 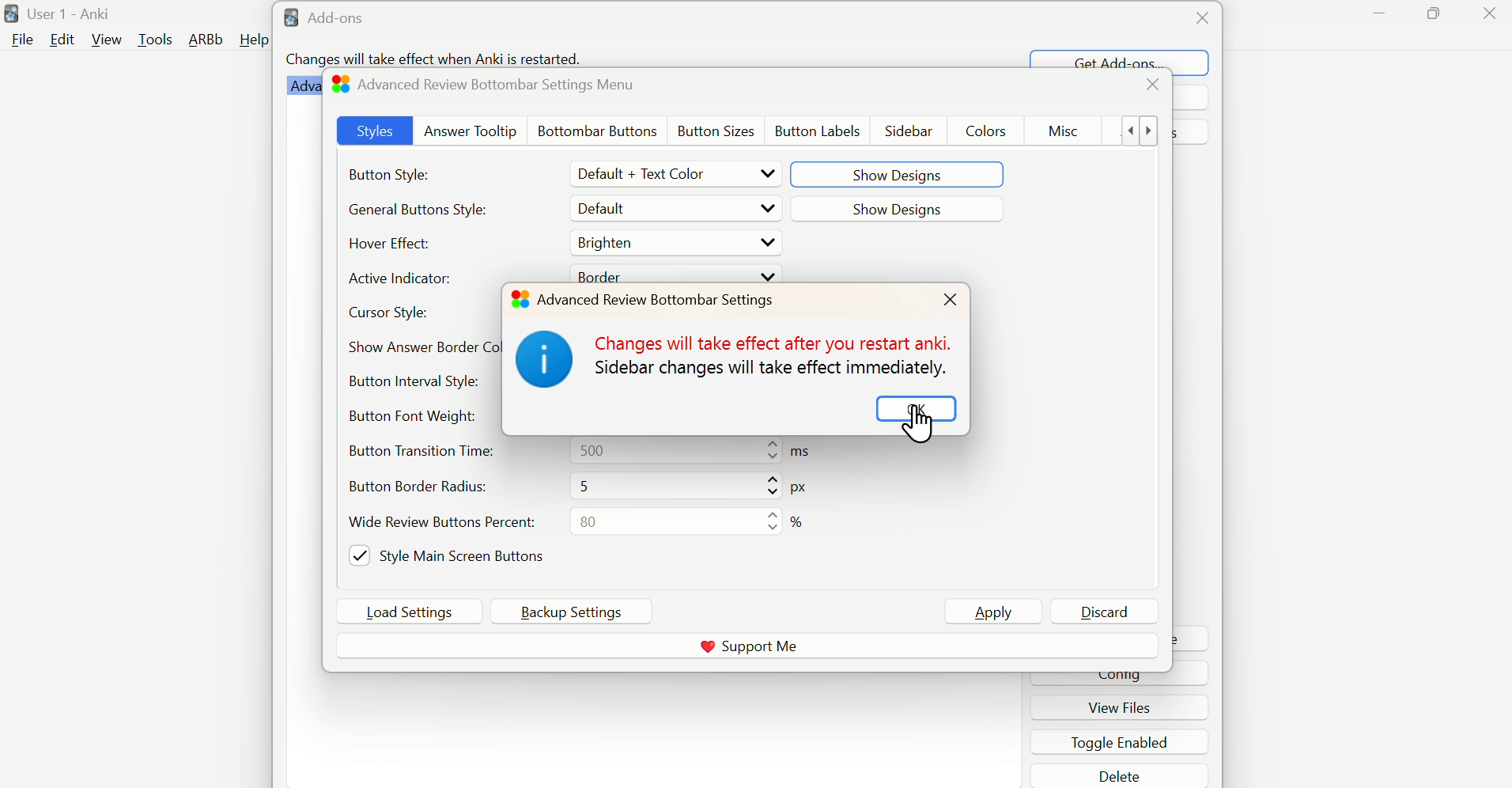 What do you see at coordinates (686, 486) in the screenshot?
I see `5 px` at bounding box center [686, 486].